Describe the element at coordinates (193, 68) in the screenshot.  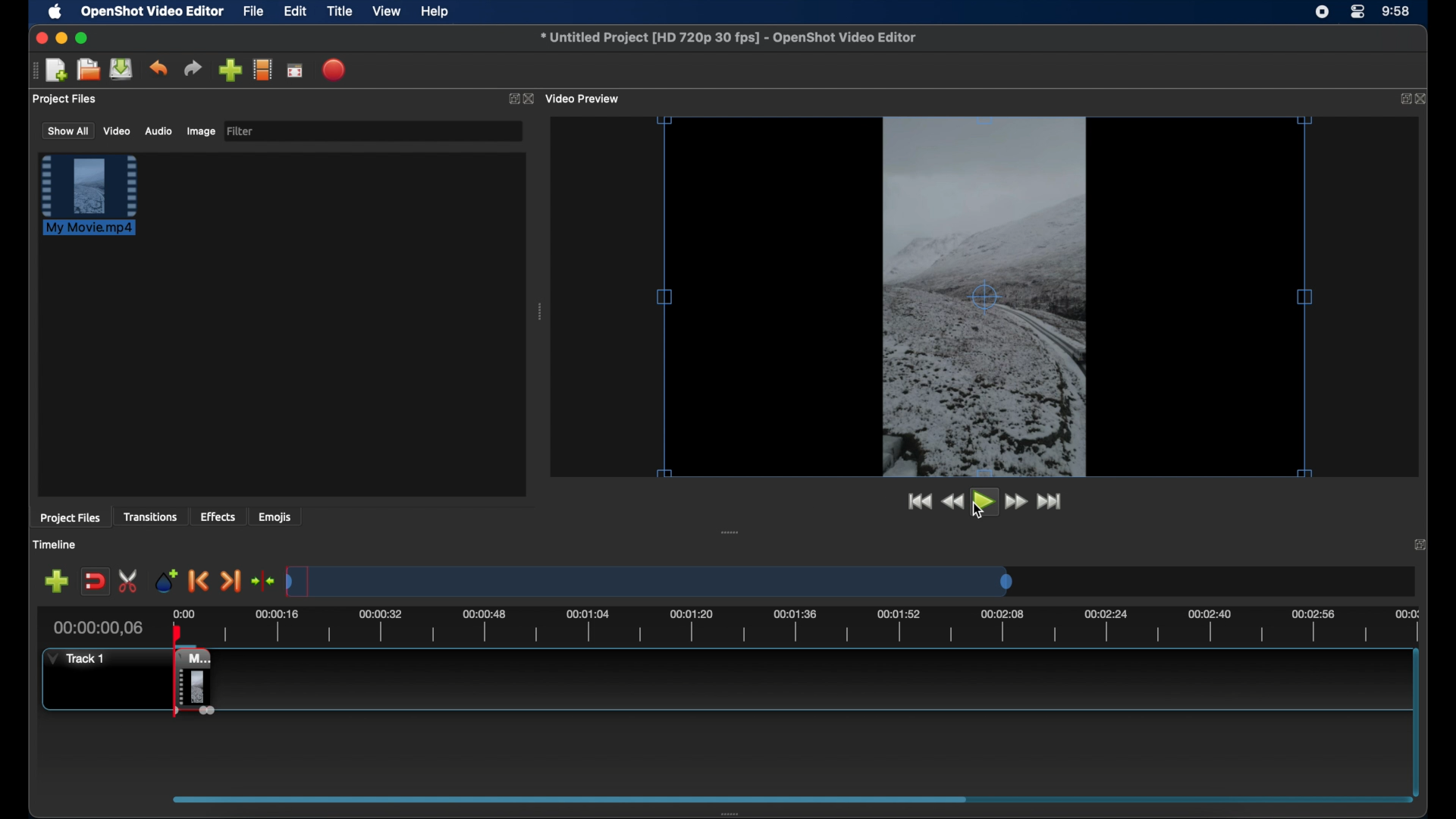
I see `redo` at that location.